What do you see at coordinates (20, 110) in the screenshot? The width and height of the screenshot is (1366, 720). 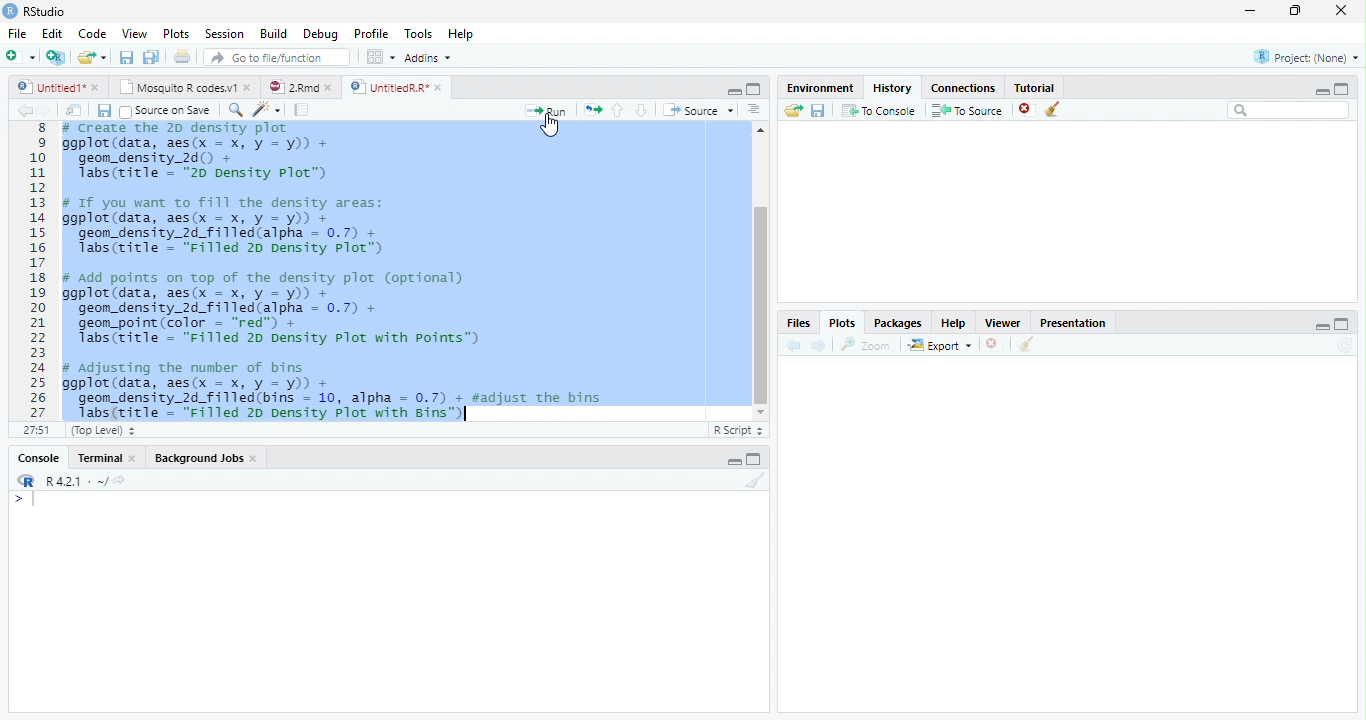 I see `back` at bounding box center [20, 110].